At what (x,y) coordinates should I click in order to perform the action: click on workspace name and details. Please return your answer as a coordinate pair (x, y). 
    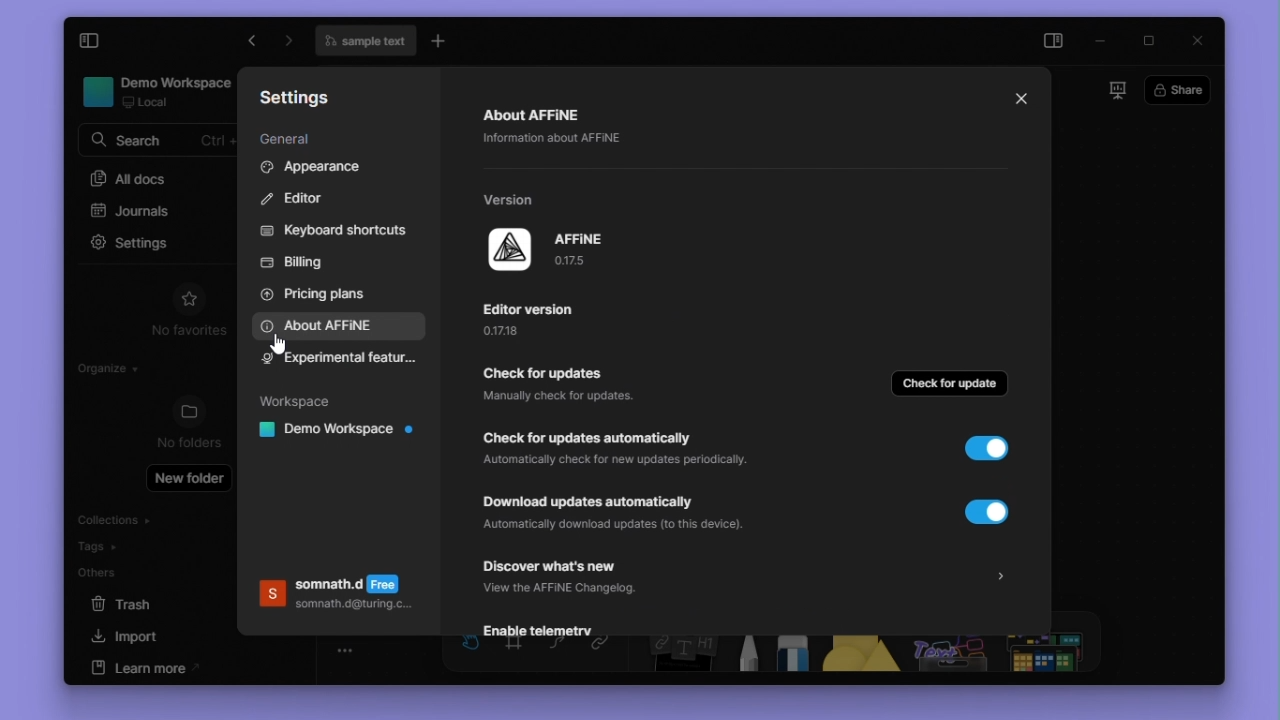
    Looking at the image, I should click on (151, 92).